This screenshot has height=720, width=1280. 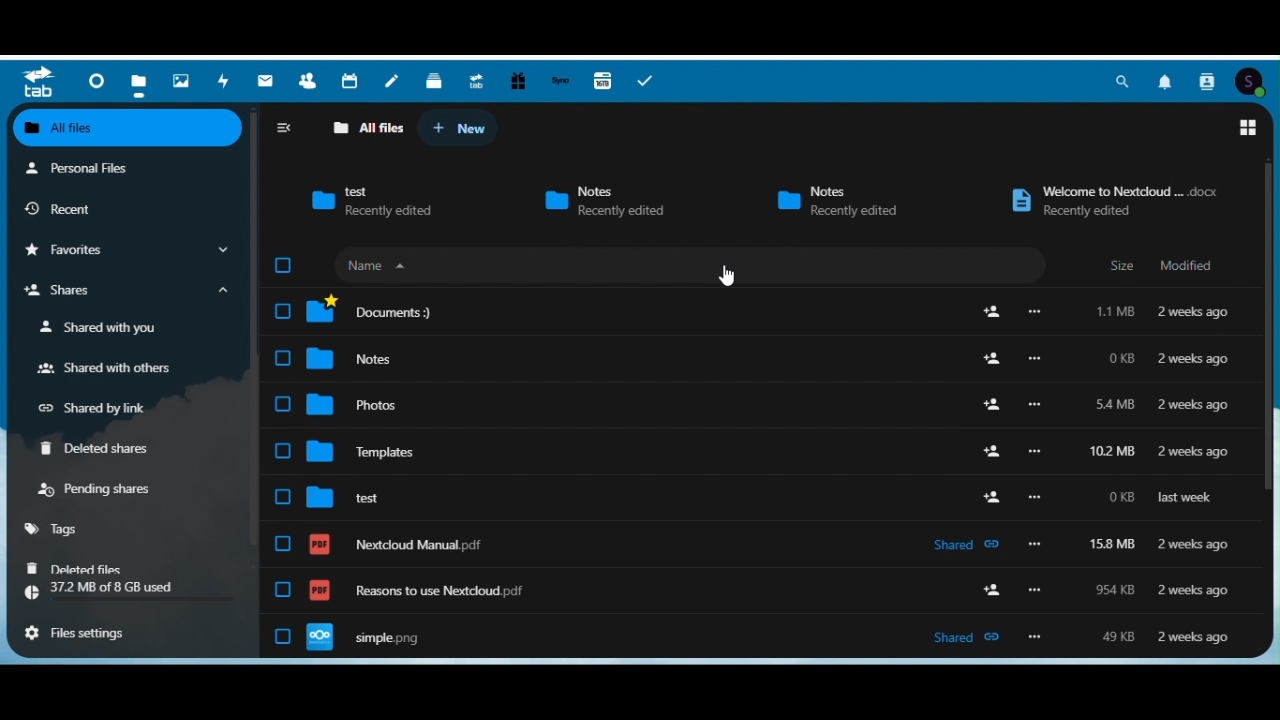 What do you see at coordinates (135, 597) in the screenshot?
I see `` at bounding box center [135, 597].